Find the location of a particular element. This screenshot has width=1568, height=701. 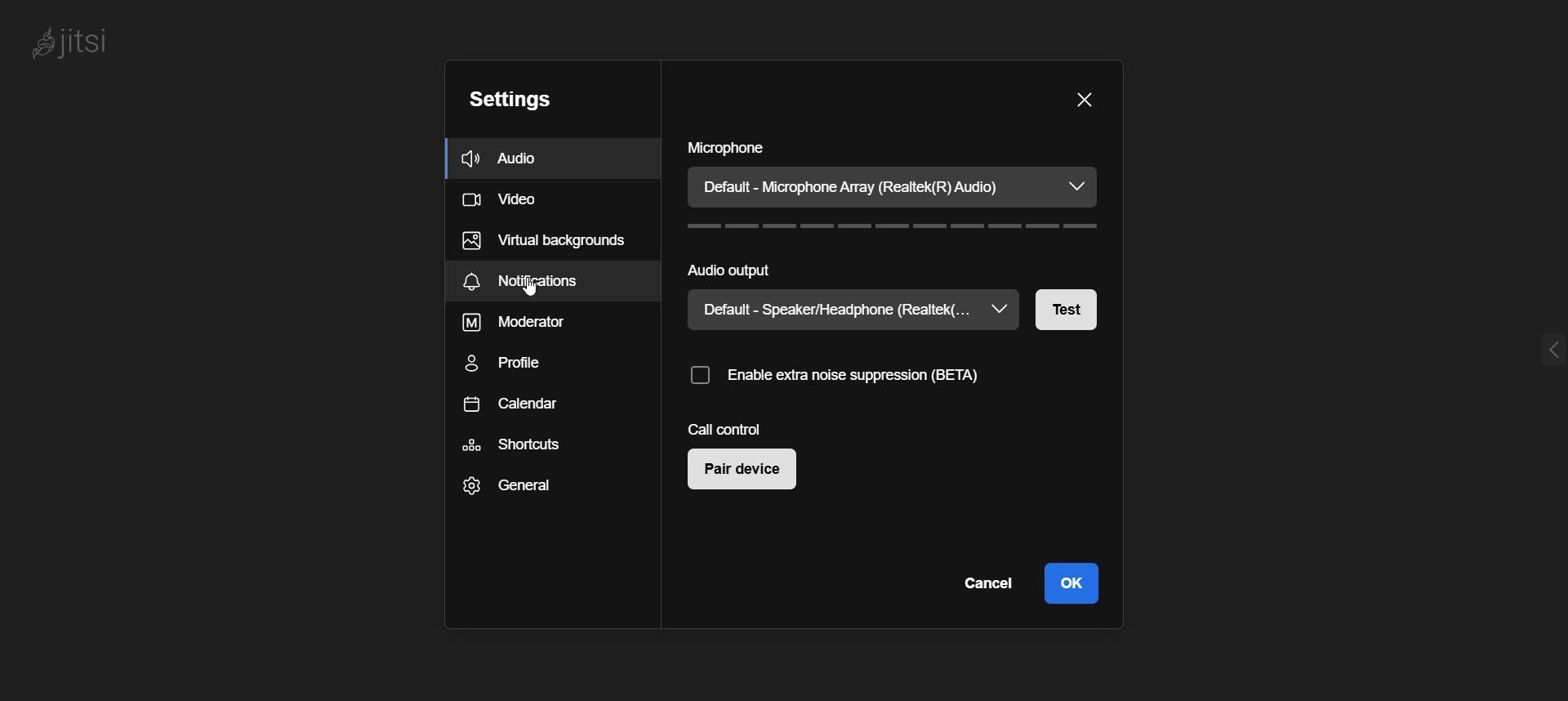

Moderator is located at coordinates (527, 323).